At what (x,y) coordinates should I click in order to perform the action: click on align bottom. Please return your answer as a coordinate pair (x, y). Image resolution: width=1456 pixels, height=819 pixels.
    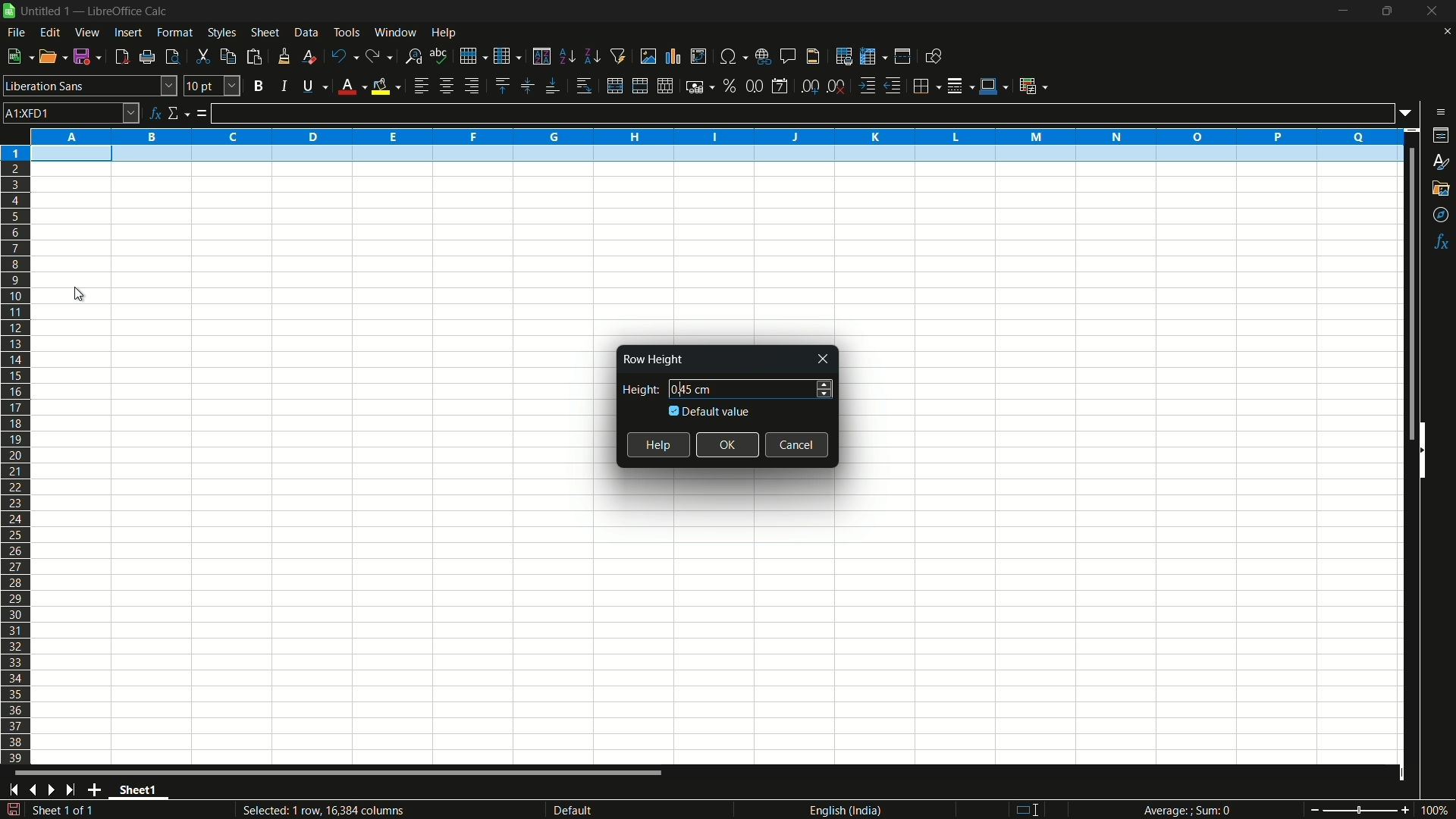
    Looking at the image, I should click on (553, 87).